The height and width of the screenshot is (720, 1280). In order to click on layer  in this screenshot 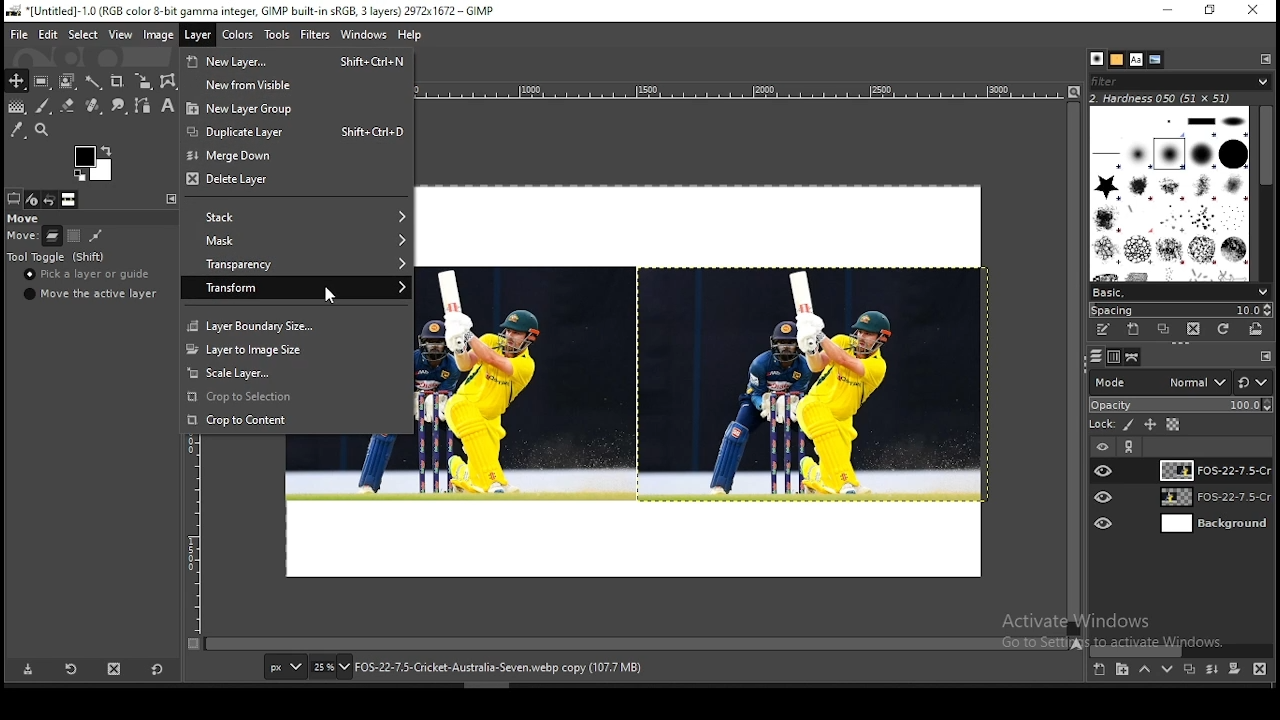, I will do `click(1212, 499)`.